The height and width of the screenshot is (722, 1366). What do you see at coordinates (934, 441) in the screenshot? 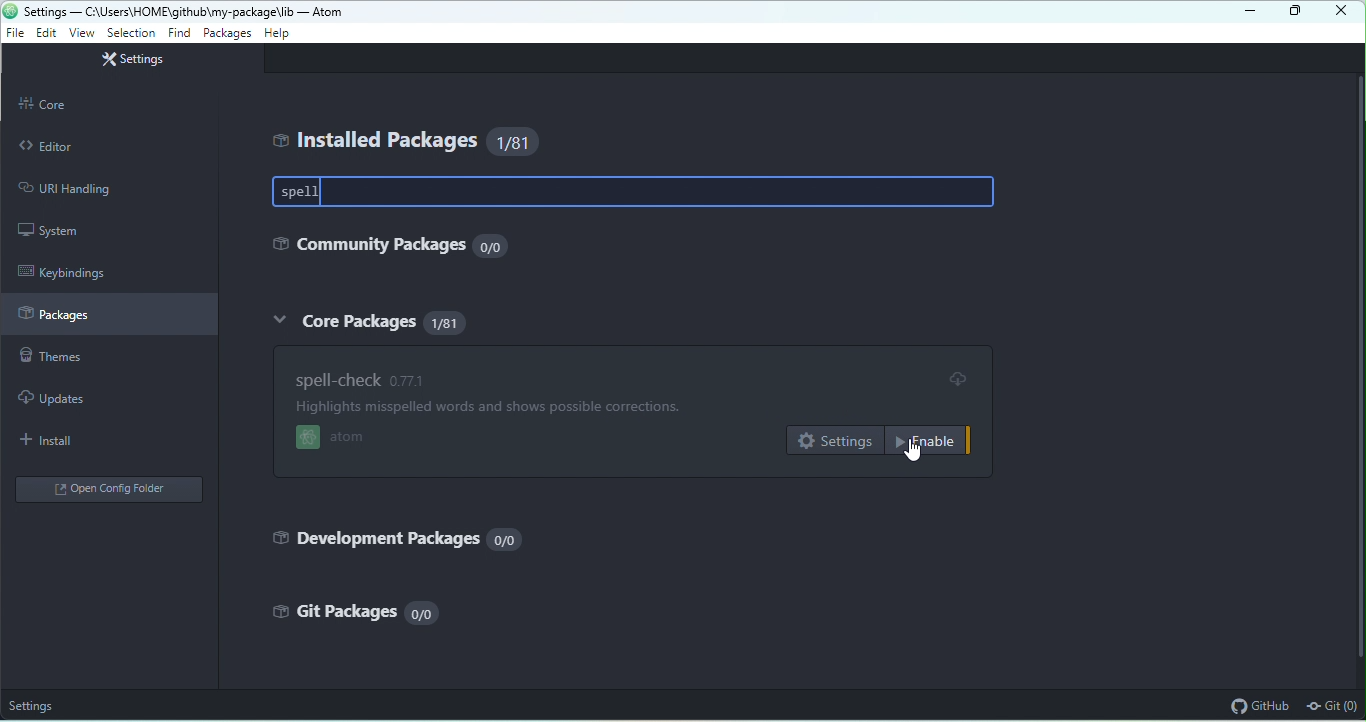
I see `enable` at bounding box center [934, 441].